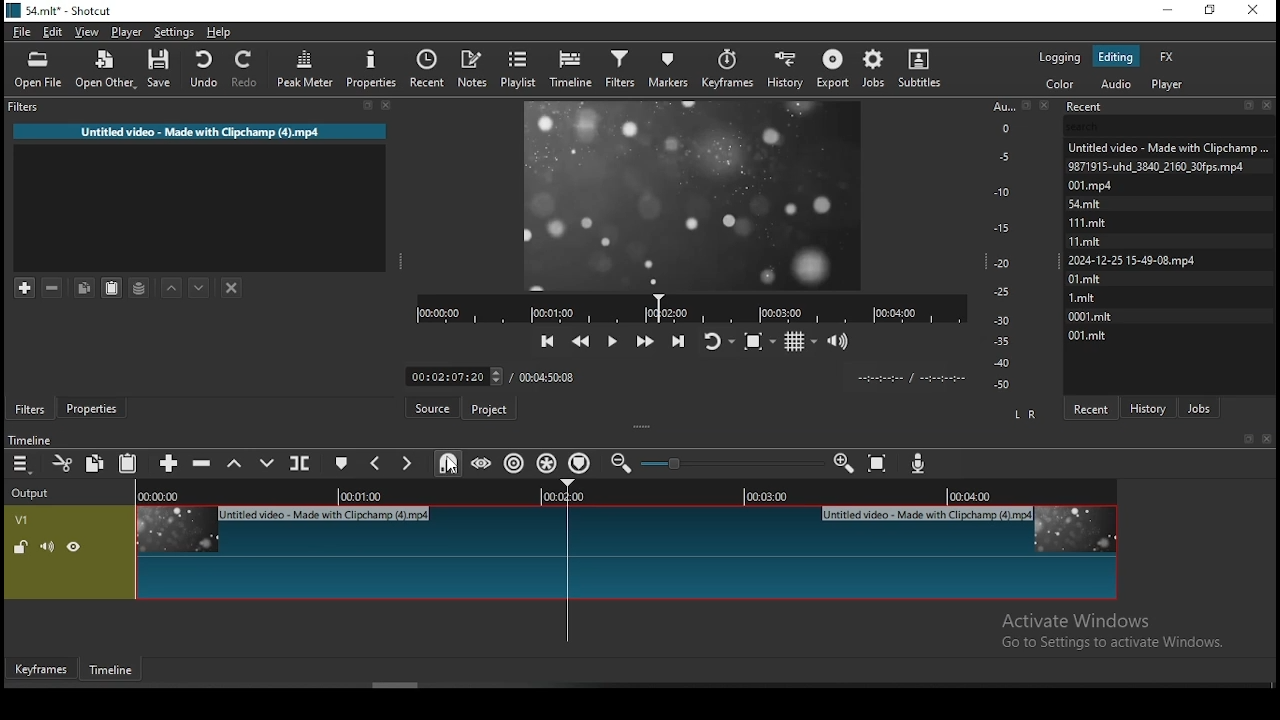  I want to click on add filter, so click(25, 286).